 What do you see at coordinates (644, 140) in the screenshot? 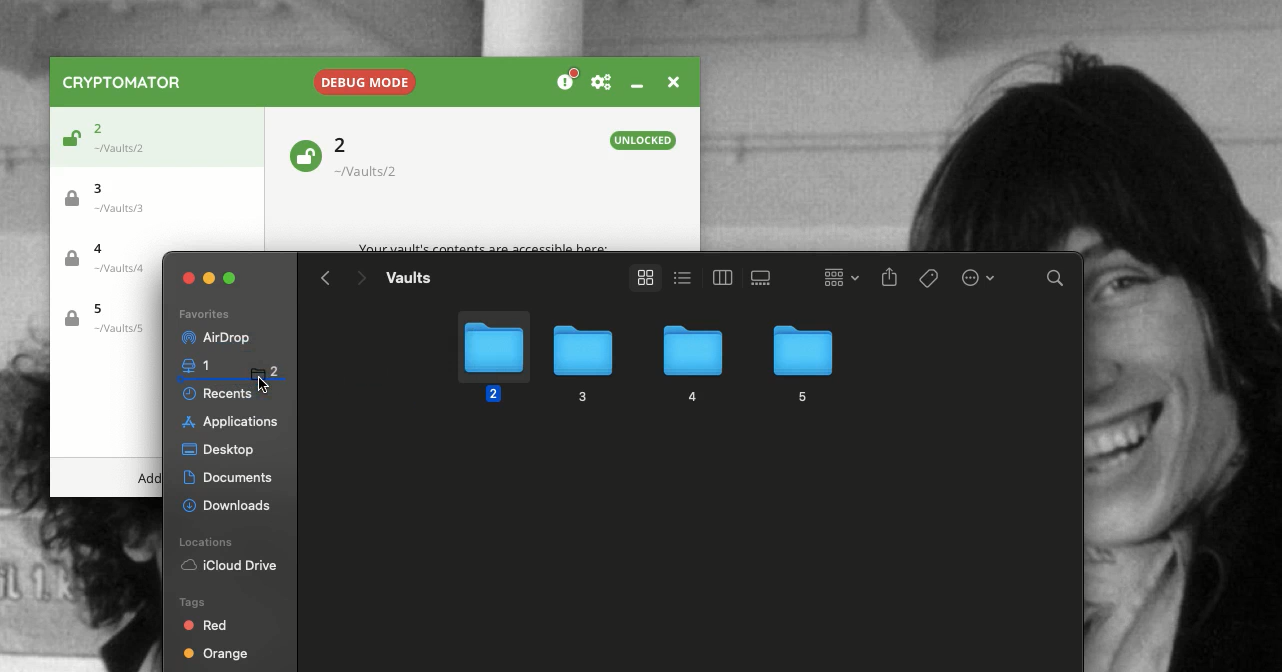
I see `Unlocked` at bounding box center [644, 140].